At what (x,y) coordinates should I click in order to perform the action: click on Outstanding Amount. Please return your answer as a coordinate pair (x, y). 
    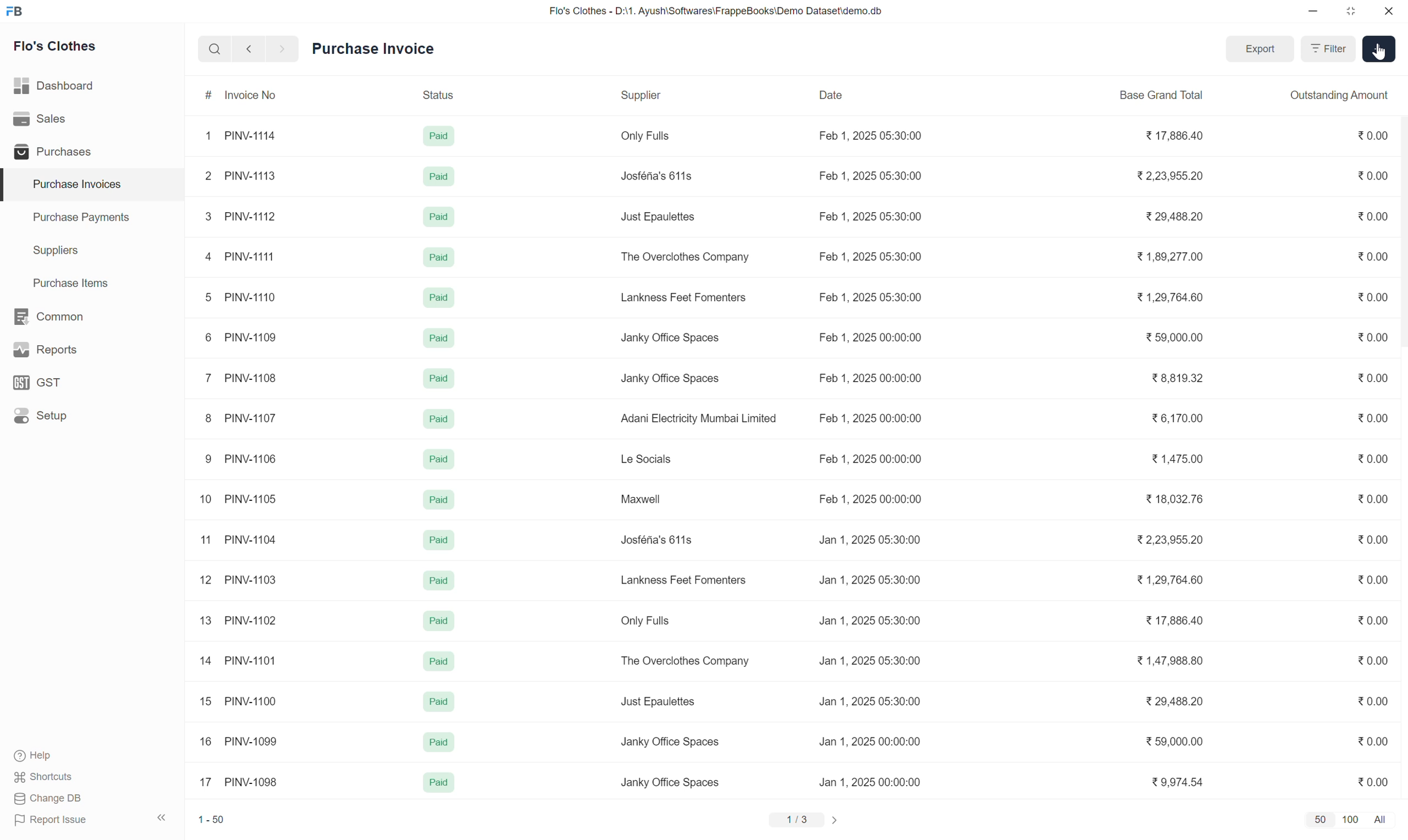
    Looking at the image, I should click on (1340, 95).